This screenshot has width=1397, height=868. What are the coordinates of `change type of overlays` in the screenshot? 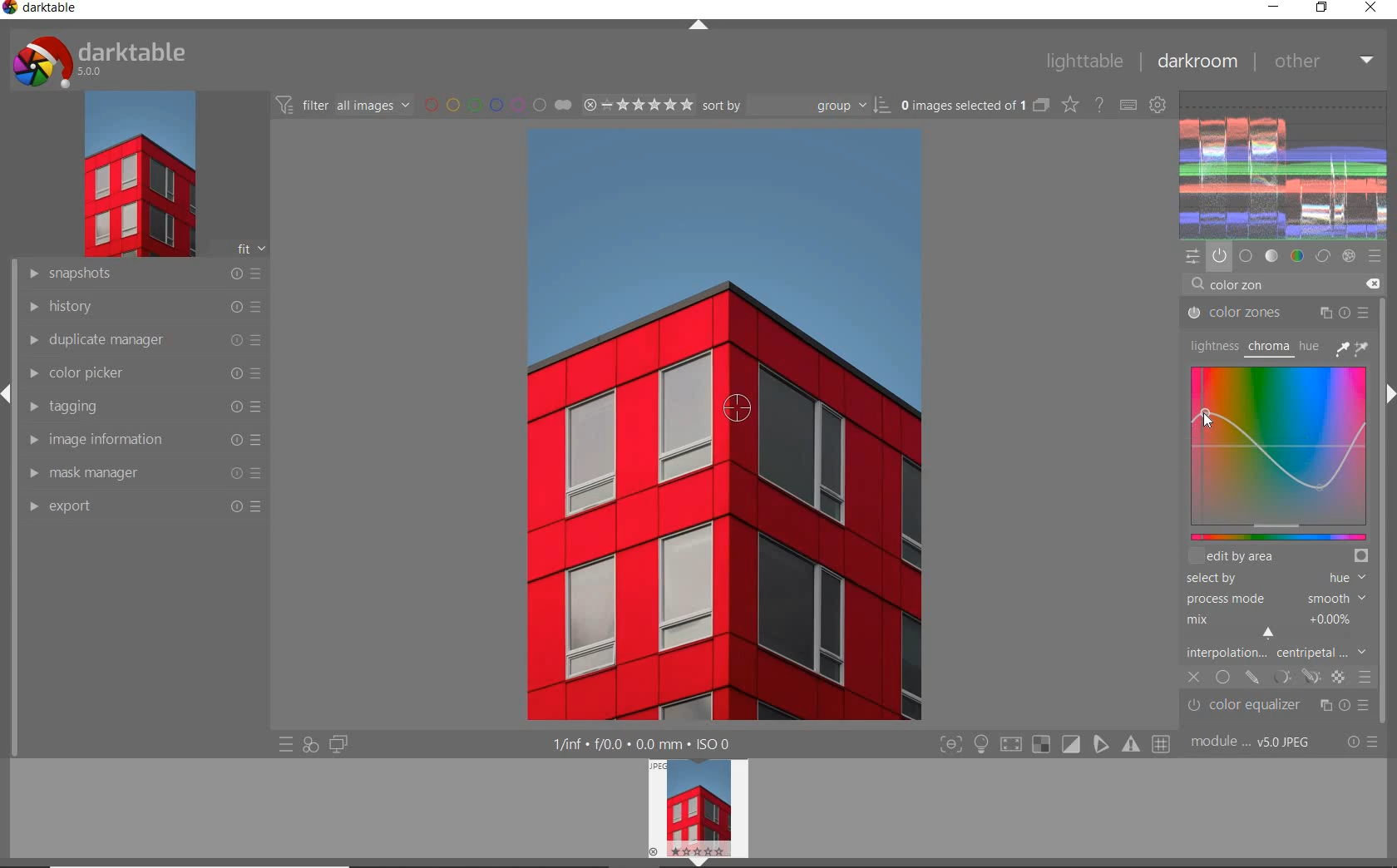 It's located at (1072, 106).